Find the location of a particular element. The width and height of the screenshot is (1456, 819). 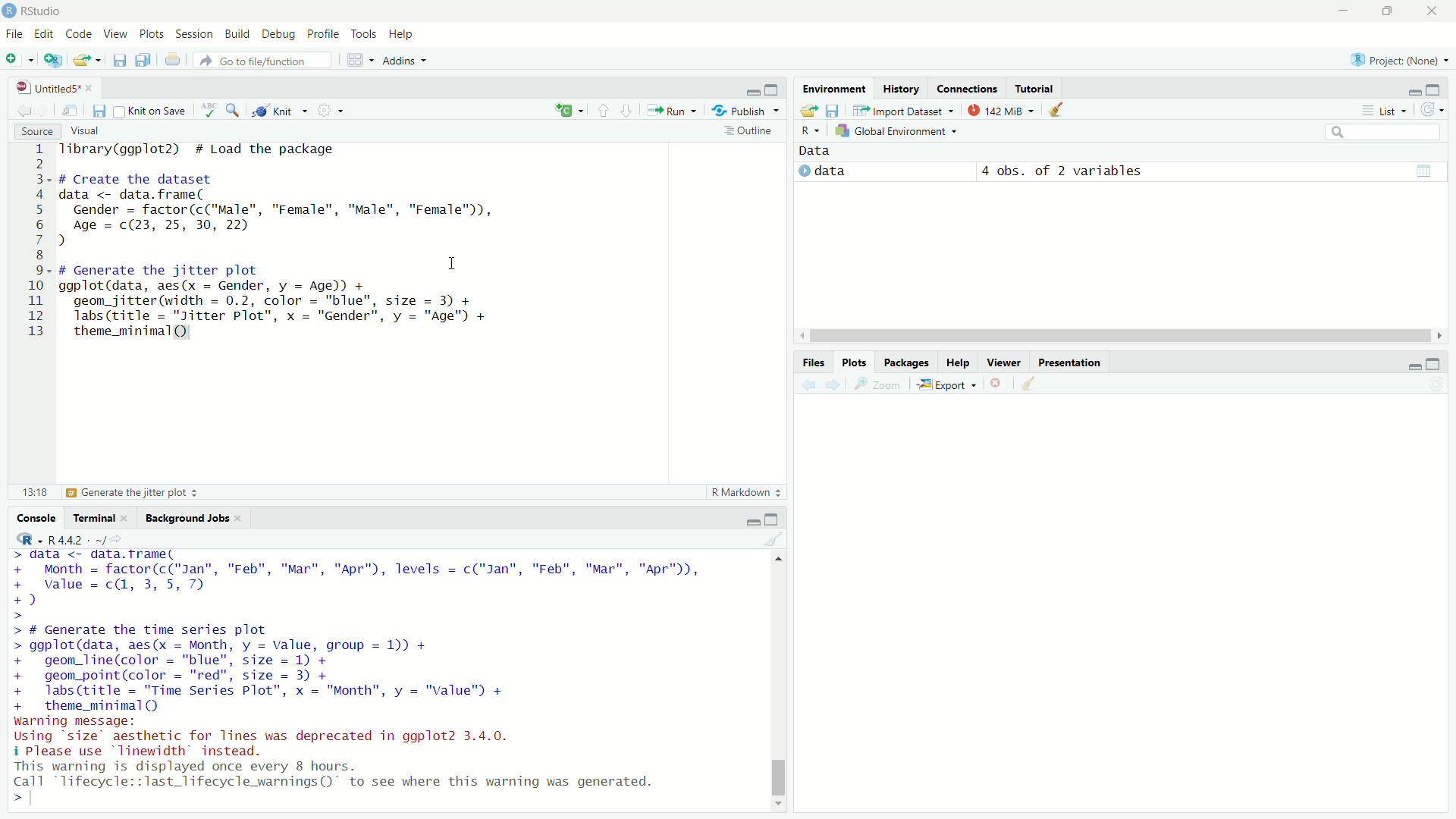

minimize is located at coordinates (1408, 364).